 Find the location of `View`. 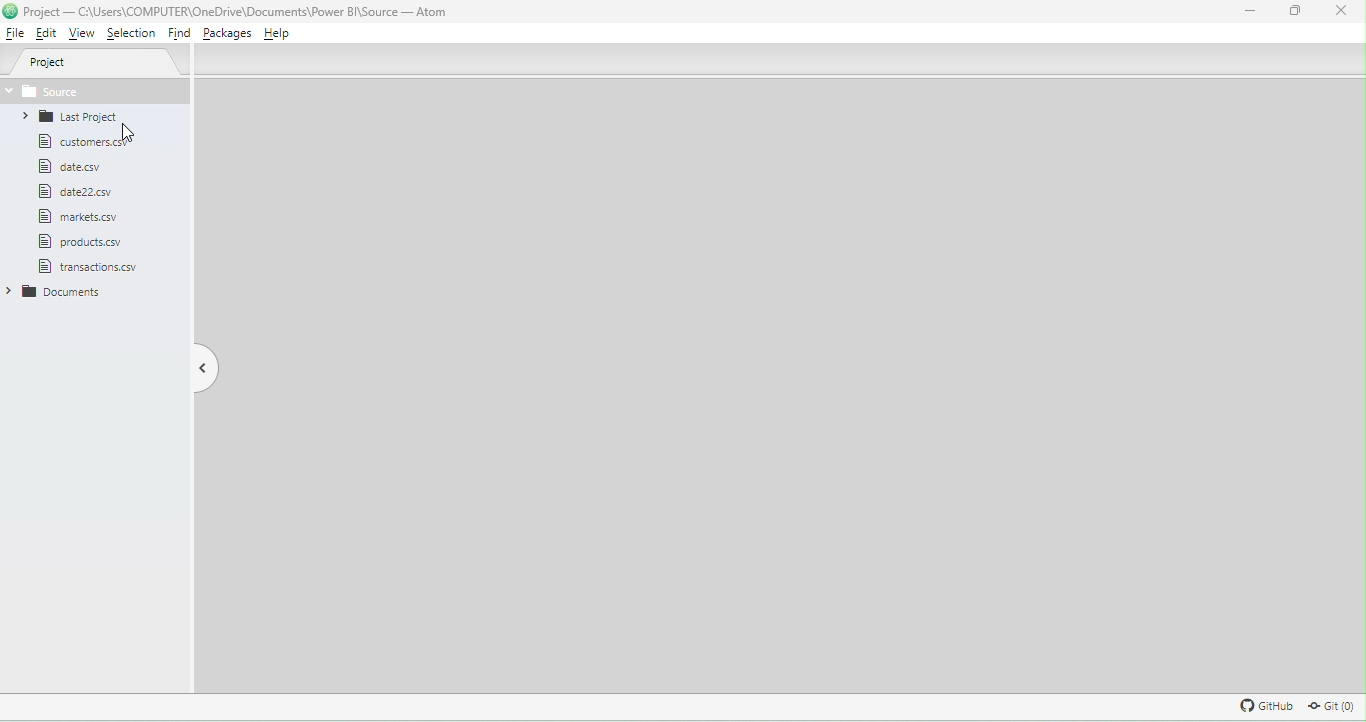

View is located at coordinates (83, 34).